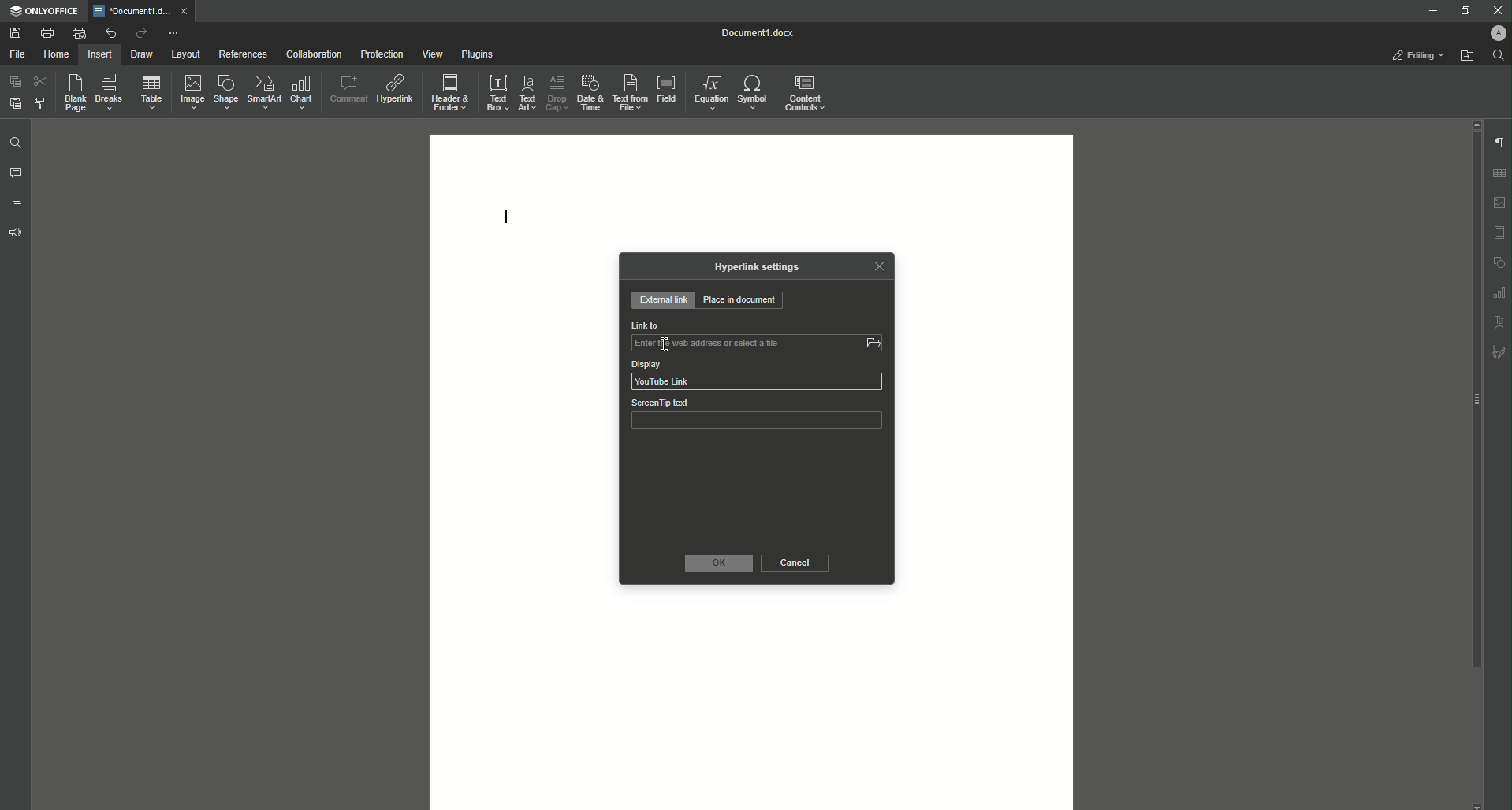 This screenshot has height=810, width=1512. I want to click on scroll bar, so click(1475, 399).